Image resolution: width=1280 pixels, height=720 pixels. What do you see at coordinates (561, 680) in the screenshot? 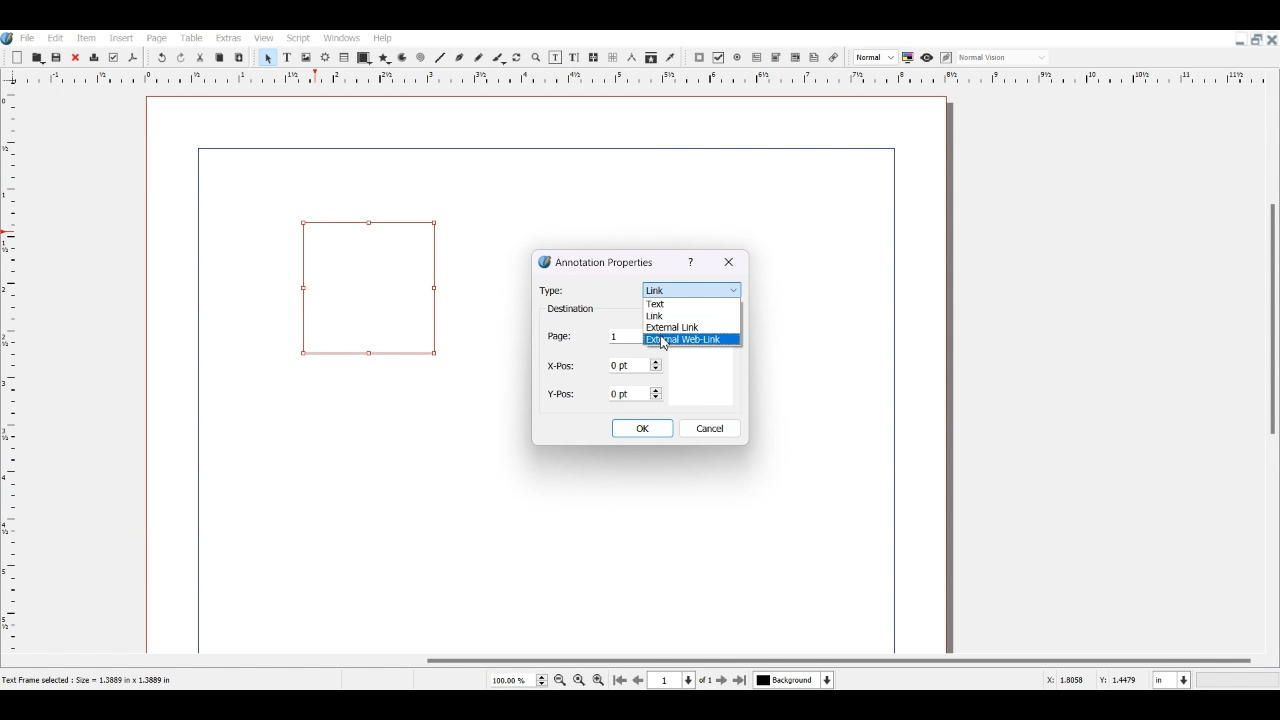
I see `Zoom out` at bounding box center [561, 680].